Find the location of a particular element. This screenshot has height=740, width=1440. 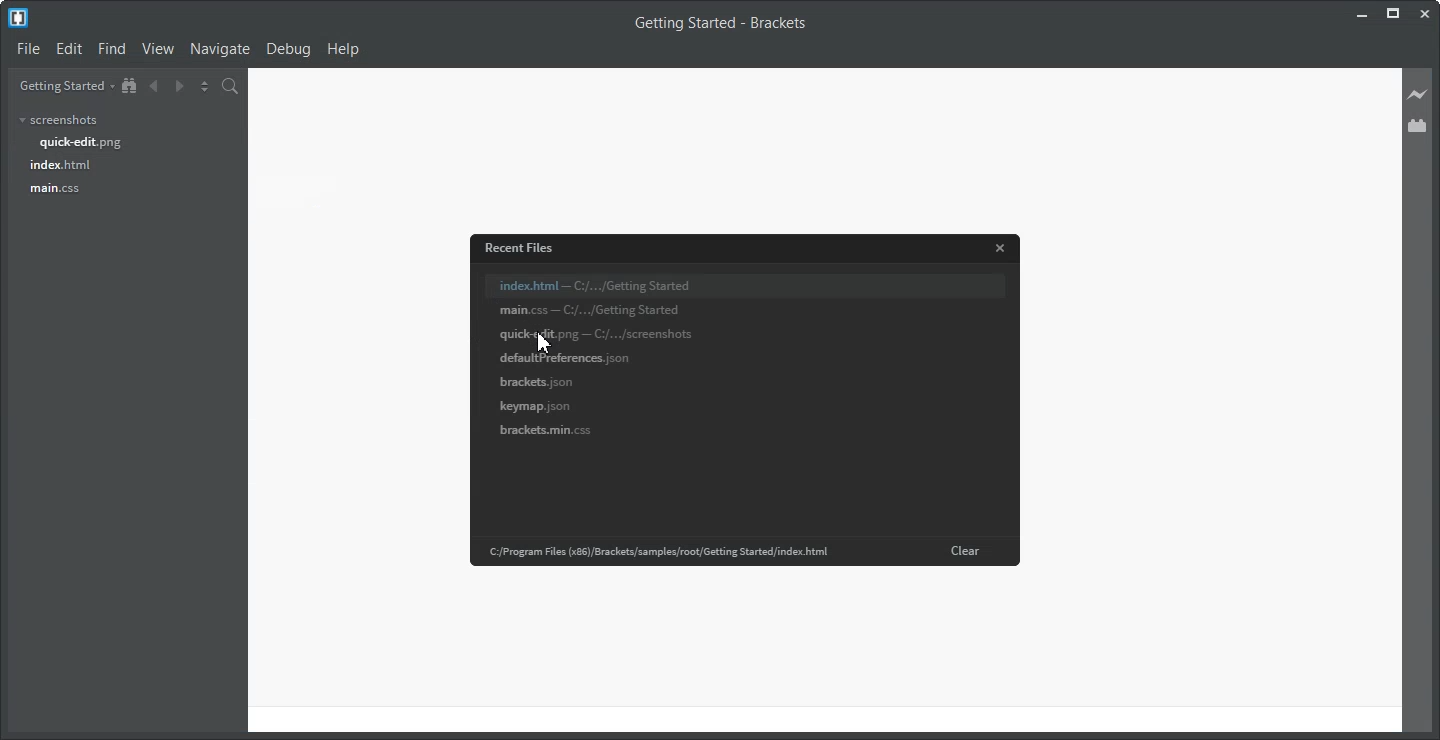

brackets.main.css is located at coordinates (547, 431).